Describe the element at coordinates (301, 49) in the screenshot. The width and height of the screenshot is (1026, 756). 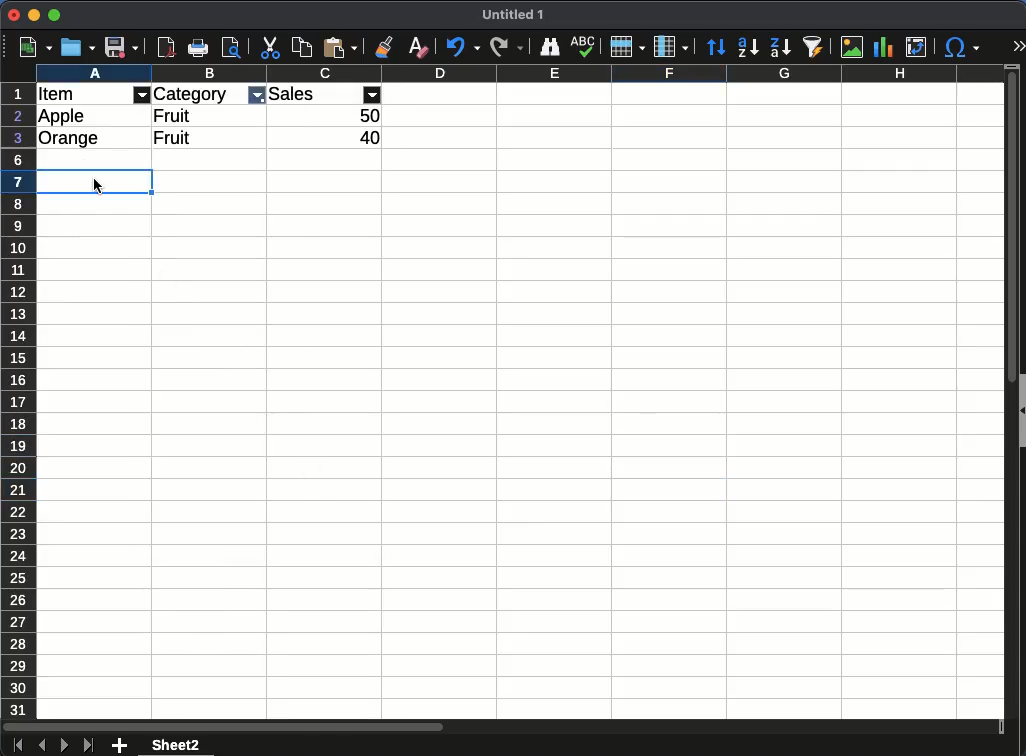
I see `copy` at that location.